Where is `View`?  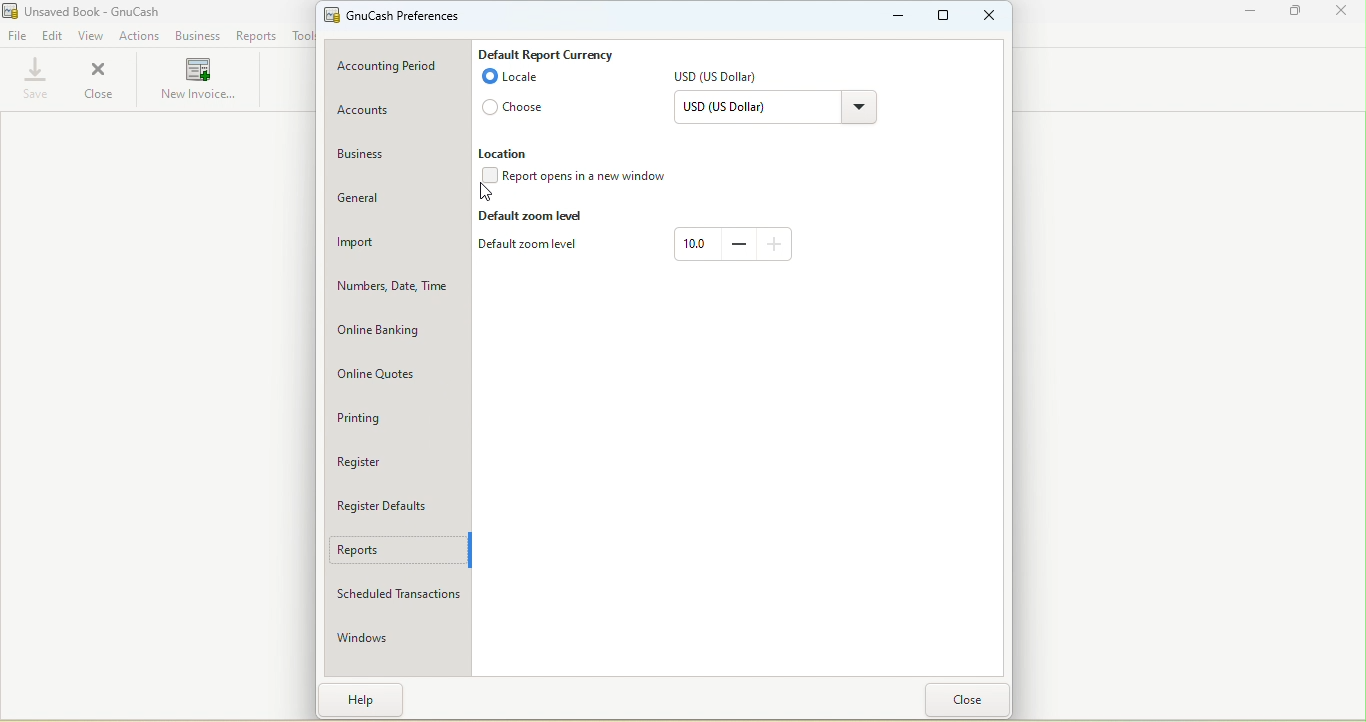
View is located at coordinates (92, 36).